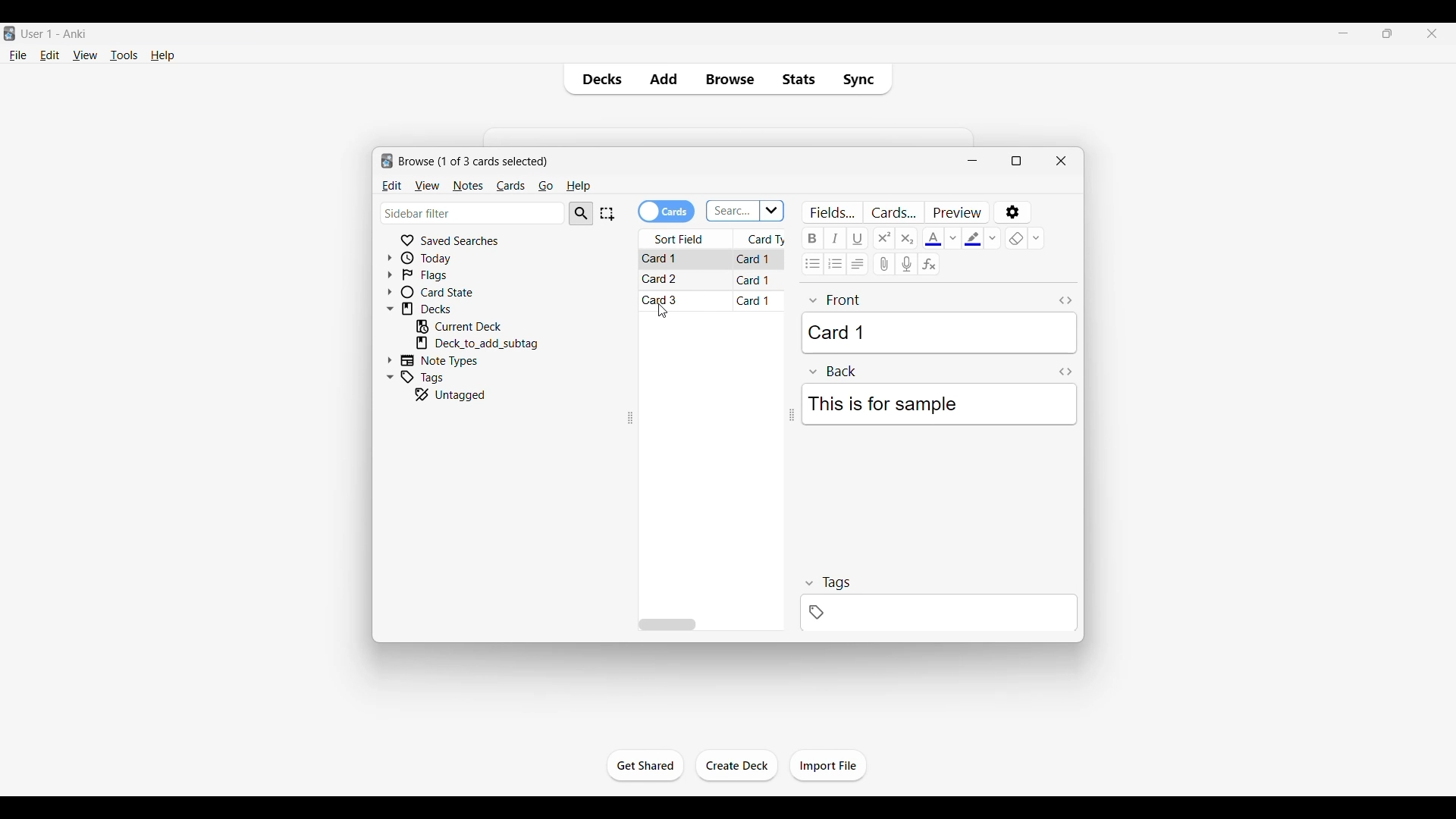 Image resolution: width=1456 pixels, height=819 pixels. What do you see at coordinates (1062, 161) in the screenshot?
I see `Close window` at bounding box center [1062, 161].